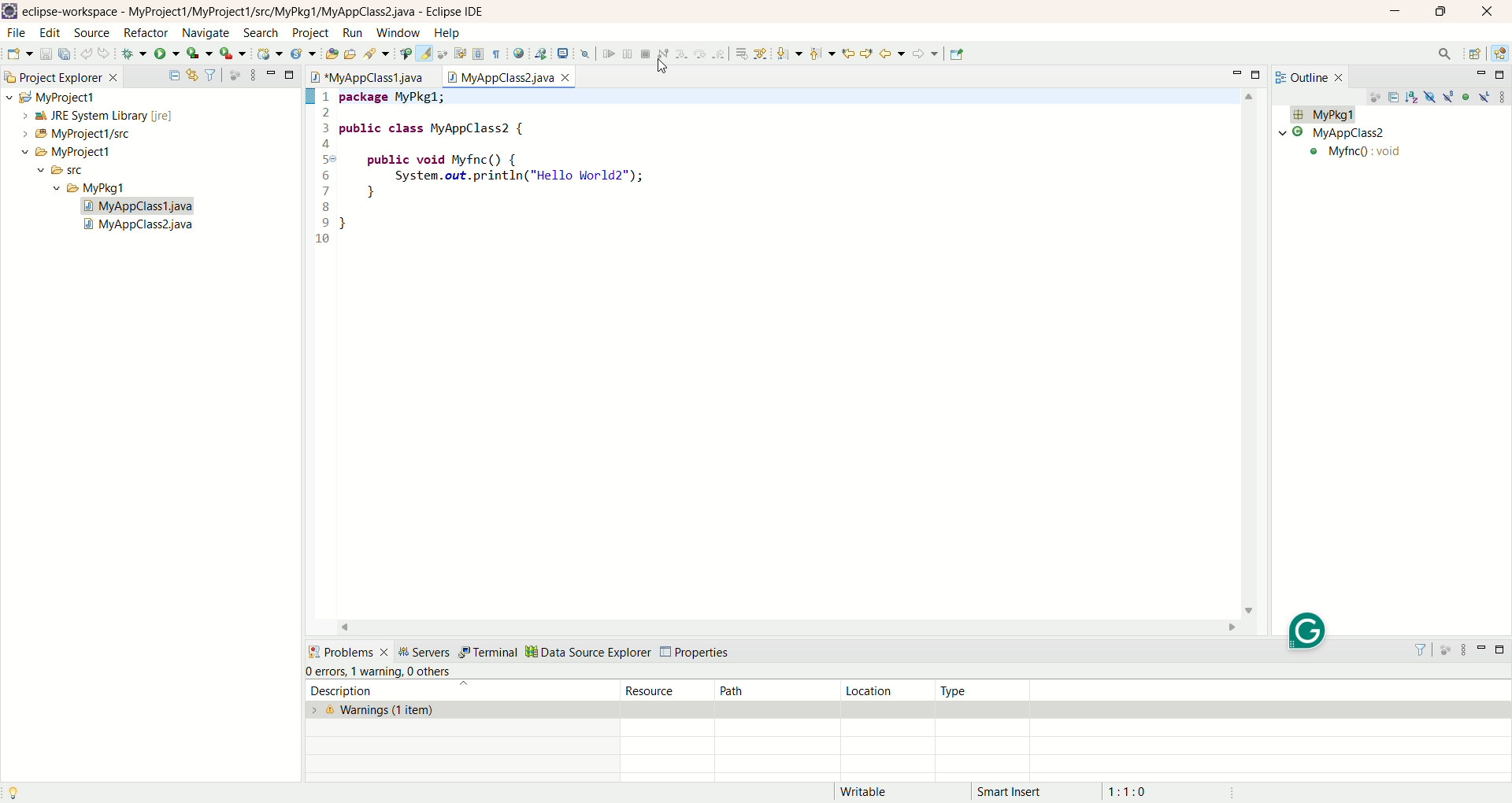 The image size is (1512, 803). Describe the element at coordinates (1480, 75) in the screenshot. I see `minimize` at that location.